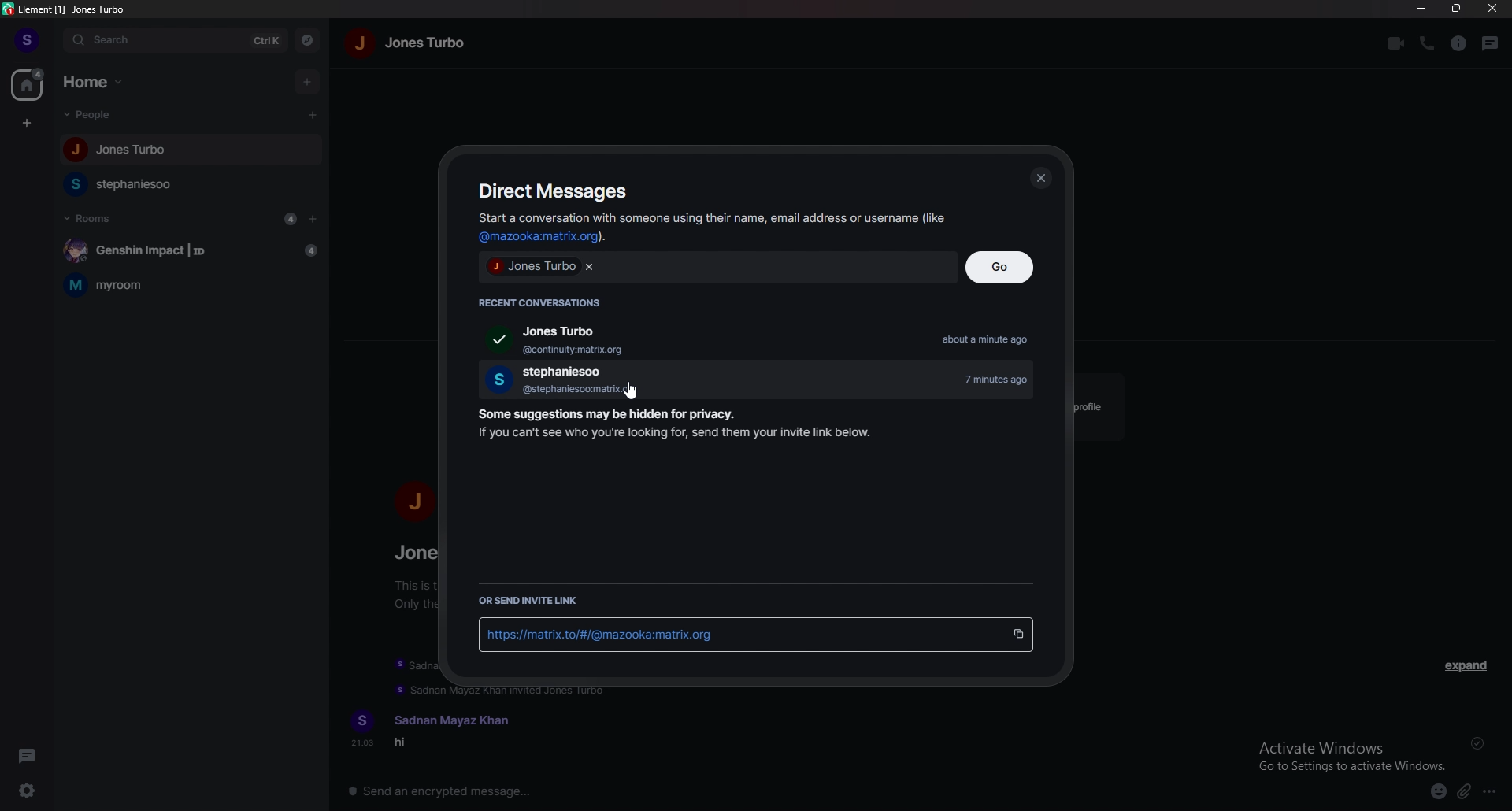 The image size is (1512, 811). What do you see at coordinates (357, 746) in the screenshot?
I see `21:03` at bounding box center [357, 746].